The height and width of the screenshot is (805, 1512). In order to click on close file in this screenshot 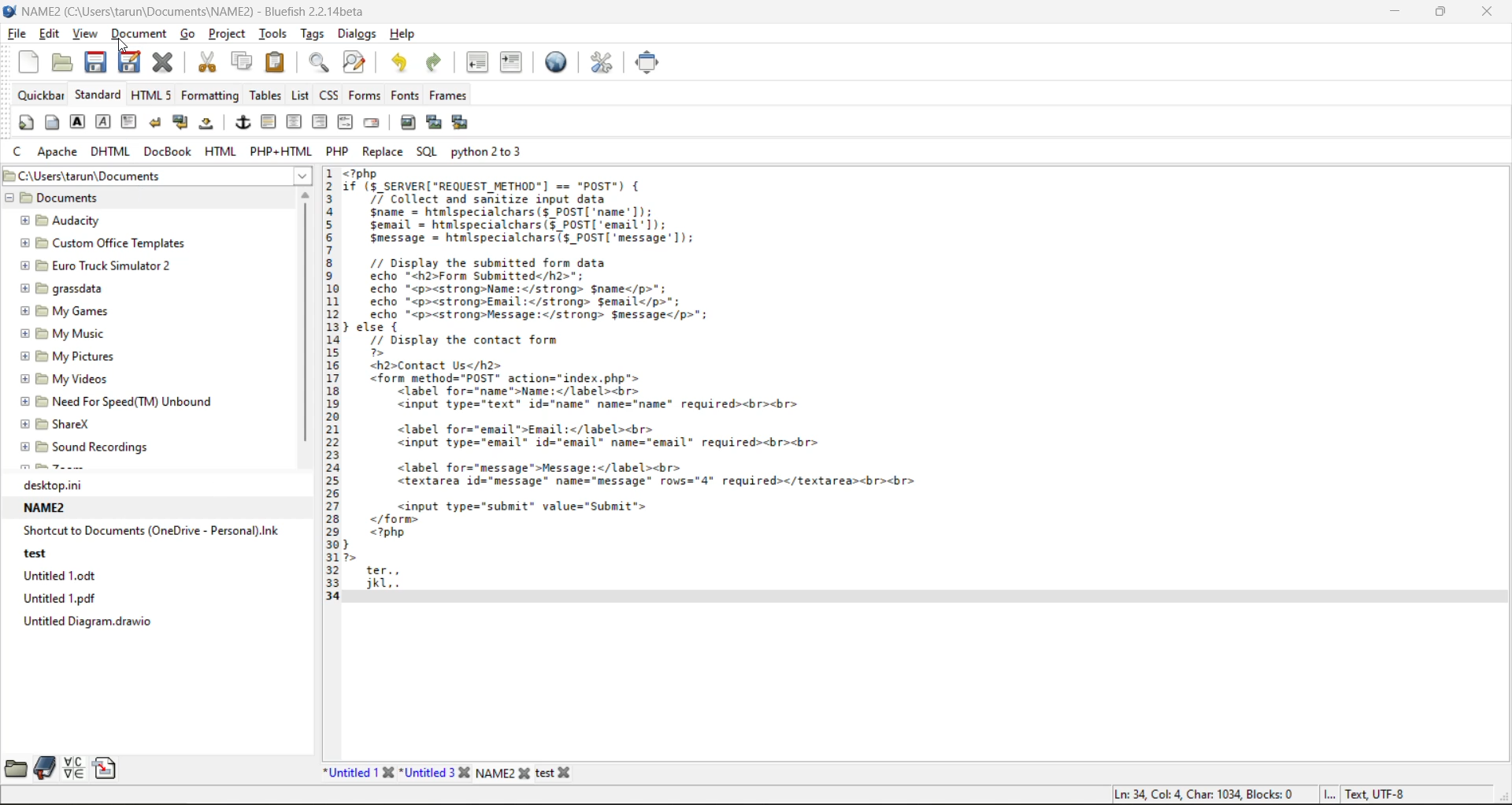, I will do `click(163, 62)`.